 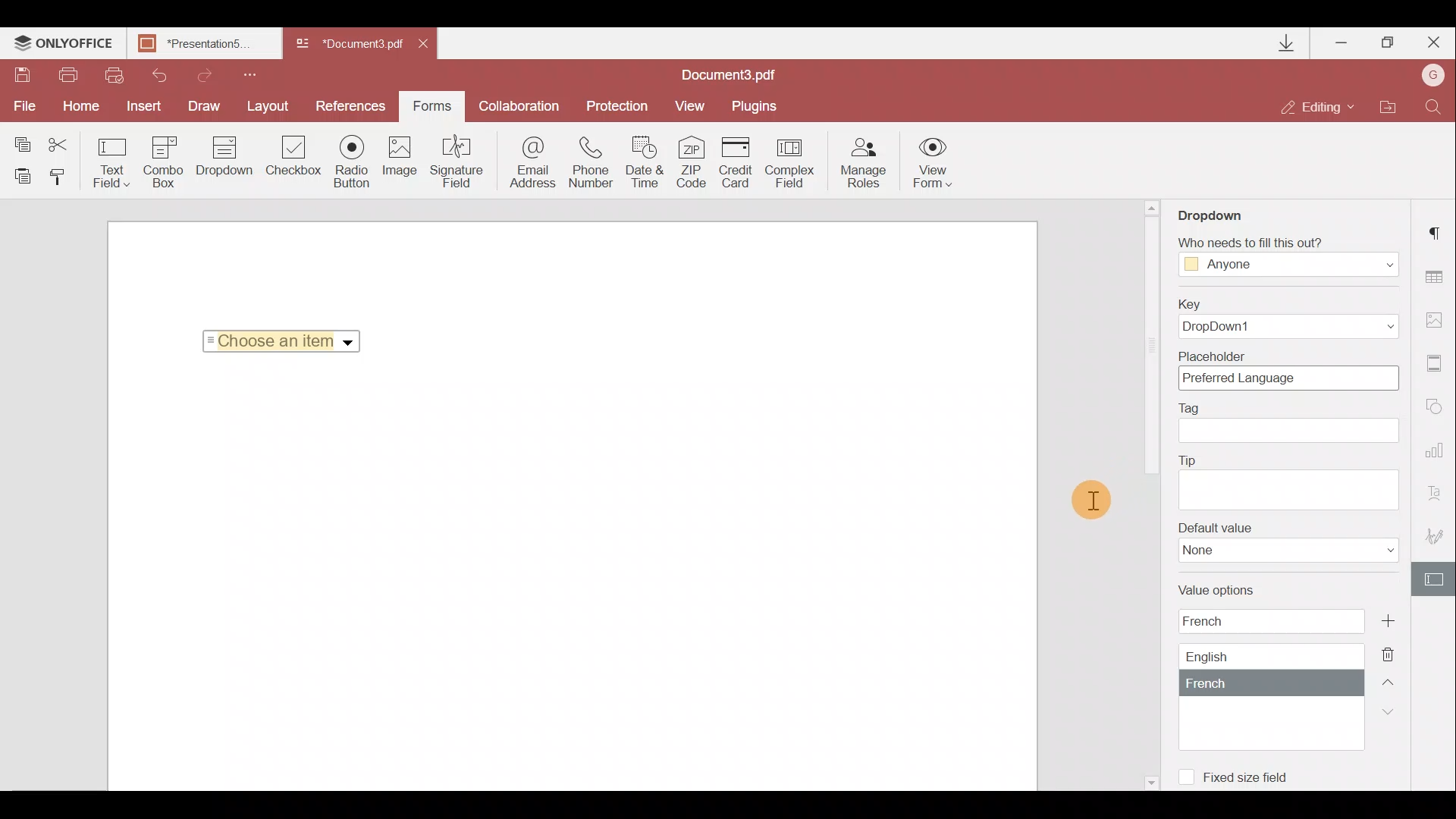 What do you see at coordinates (1260, 666) in the screenshot?
I see `Value options` at bounding box center [1260, 666].